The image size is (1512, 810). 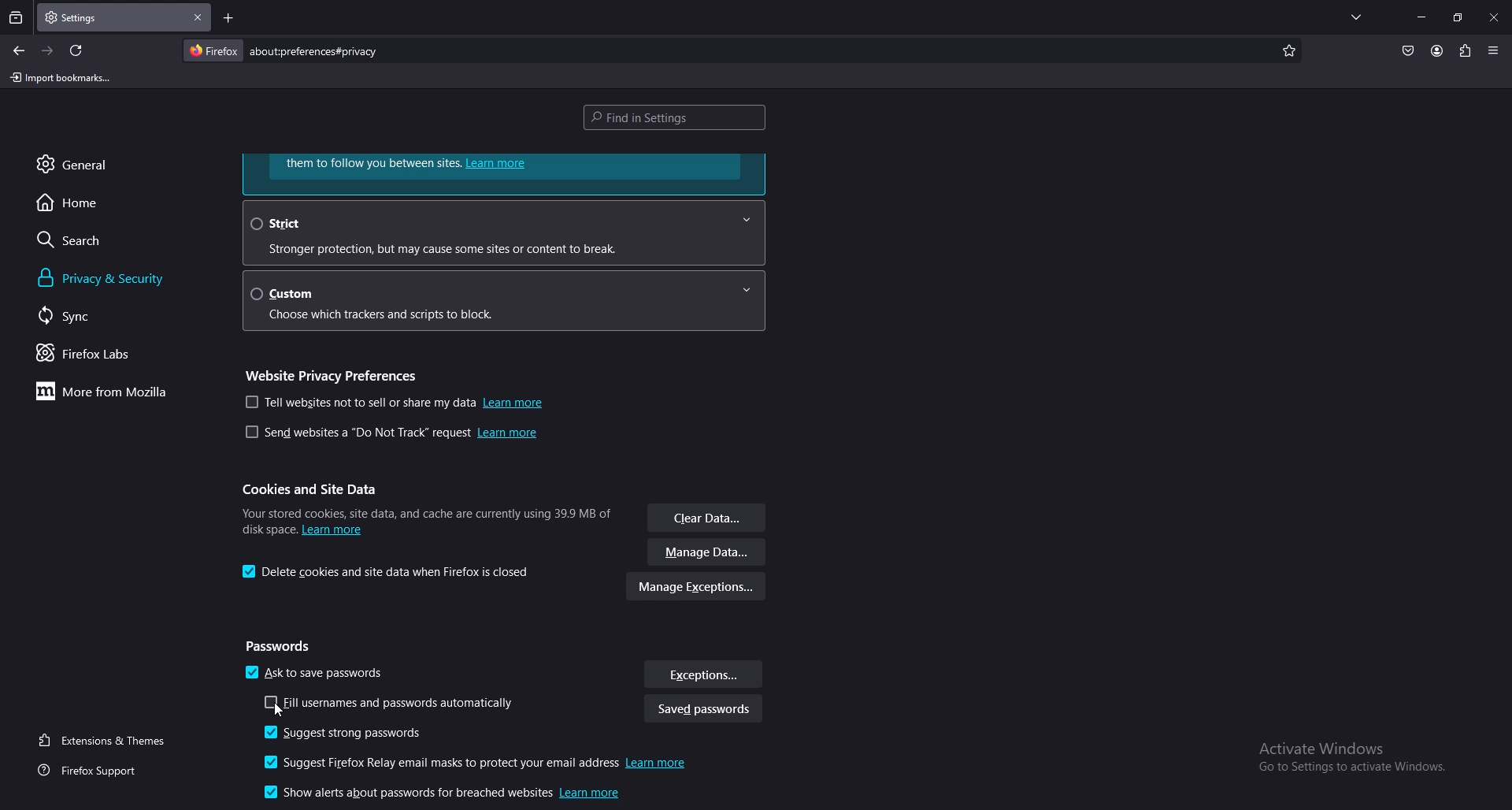 I want to click on saved password, so click(x=702, y=711).